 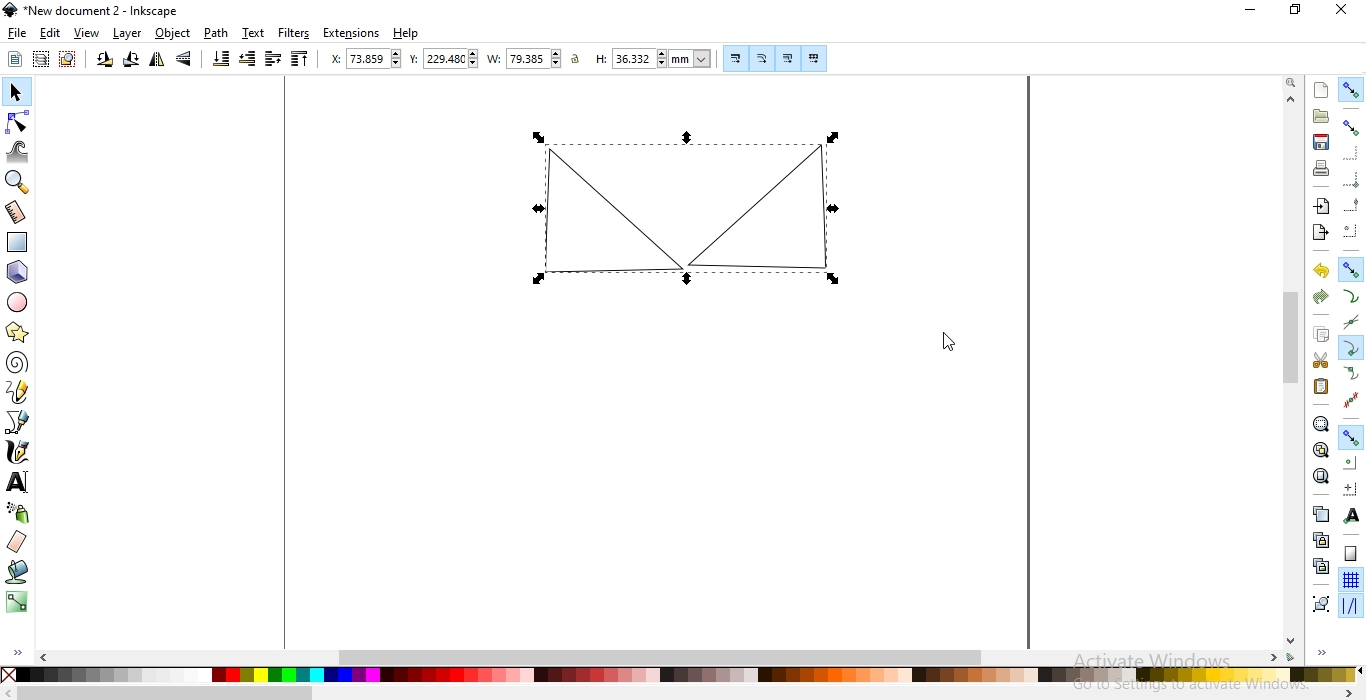 What do you see at coordinates (15, 92) in the screenshot?
I see `select and transform objects` at bounding box center [15, 92].